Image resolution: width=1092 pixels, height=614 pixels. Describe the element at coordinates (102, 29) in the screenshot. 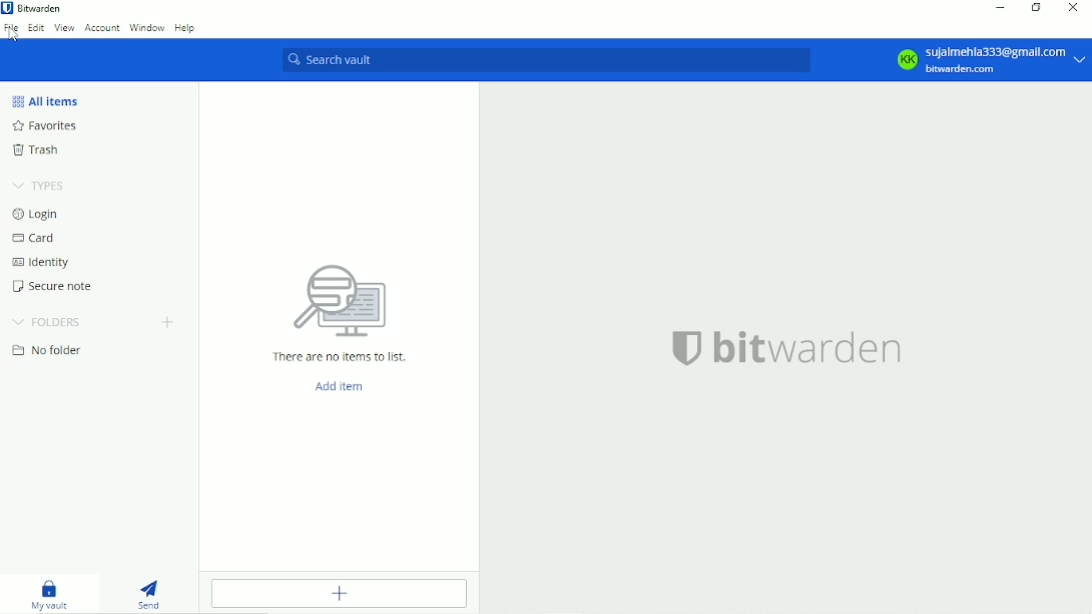

I see `Account` at that location.